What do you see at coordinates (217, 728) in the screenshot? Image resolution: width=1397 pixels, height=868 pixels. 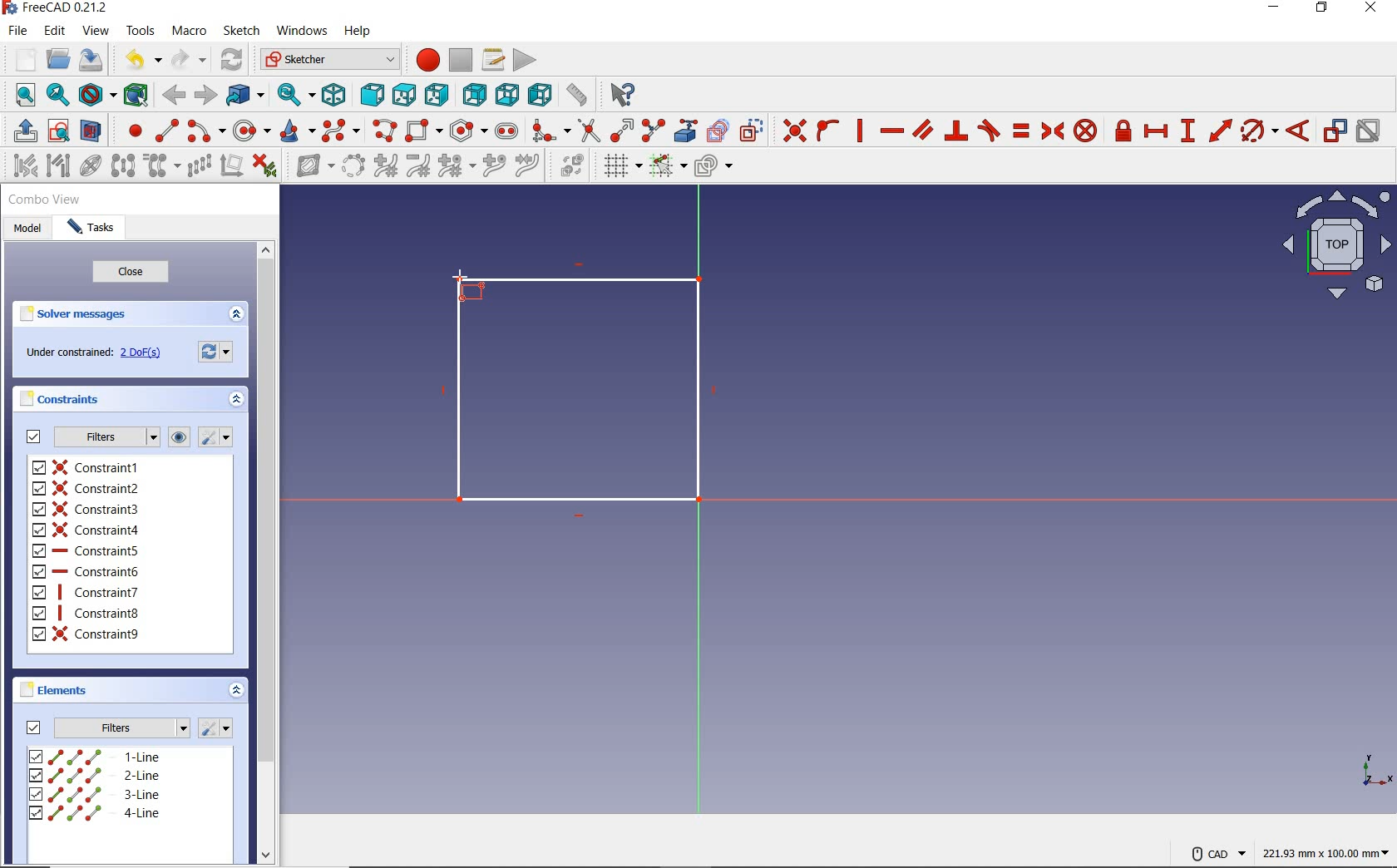 I see `settings` at bounding box center [217, 728].